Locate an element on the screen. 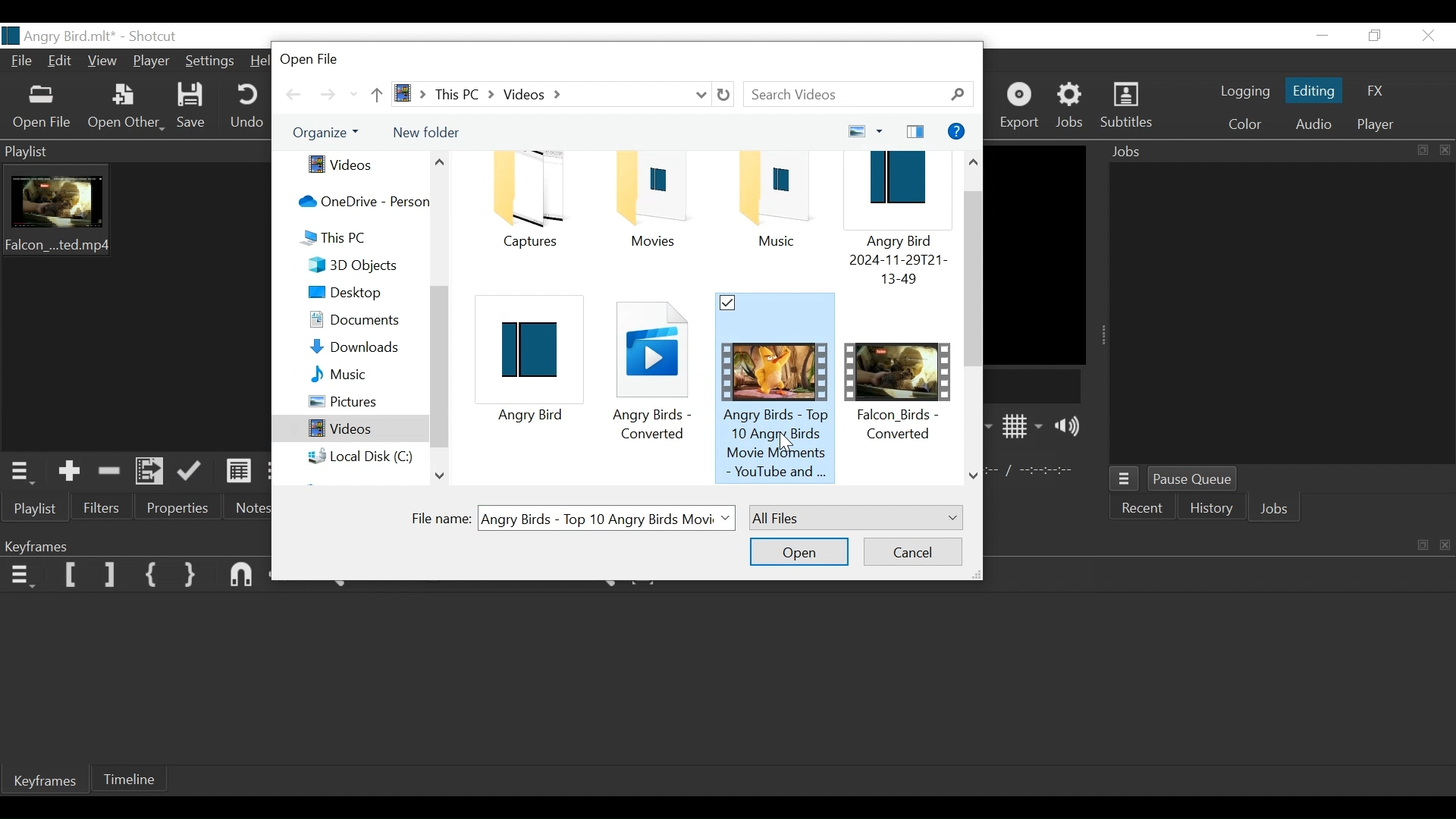 The height and width of the screenshot is (819, 1456). snap is located at coordinates (245, 577).